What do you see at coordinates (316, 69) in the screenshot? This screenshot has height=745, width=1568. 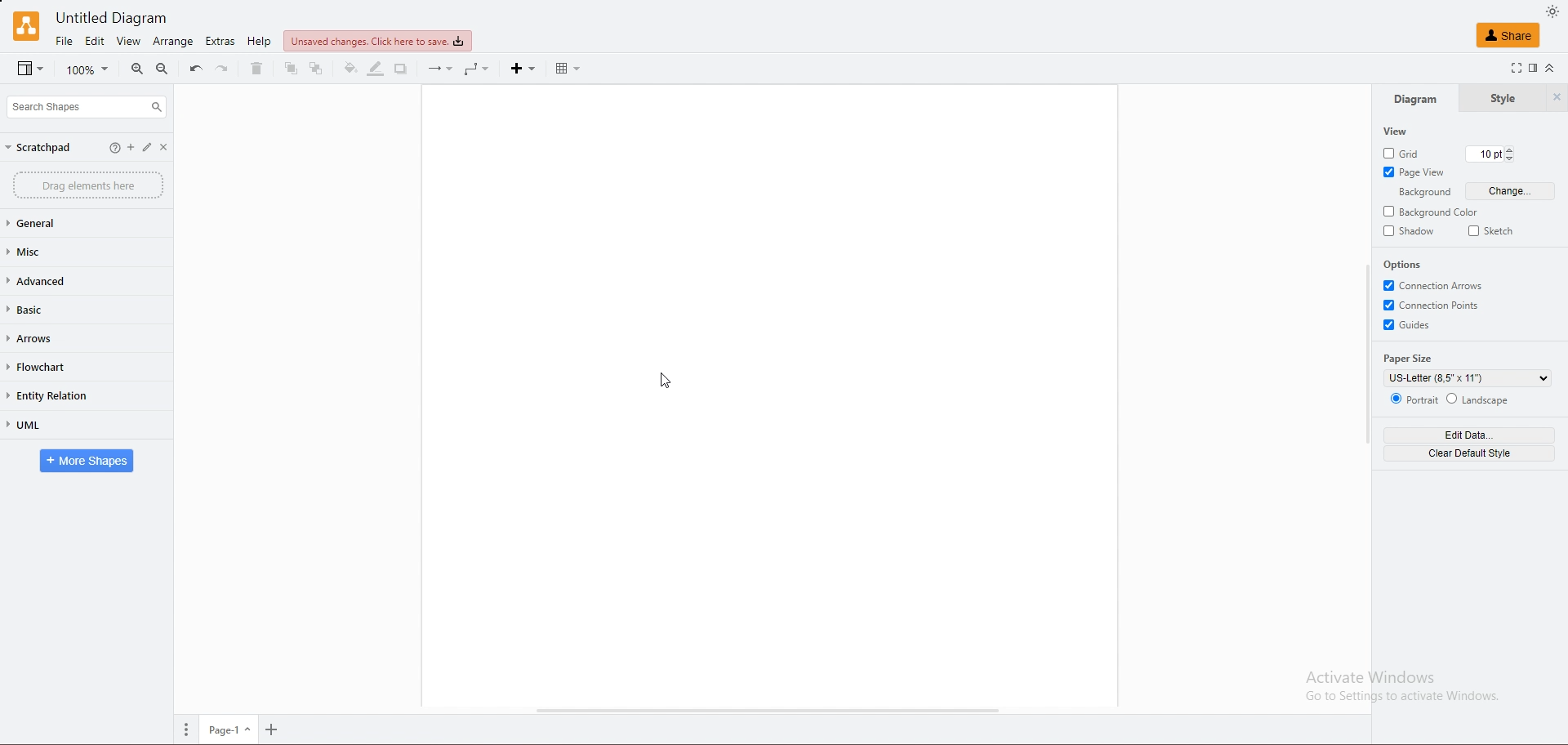 I see `to back` at bounding box center [316, 69].